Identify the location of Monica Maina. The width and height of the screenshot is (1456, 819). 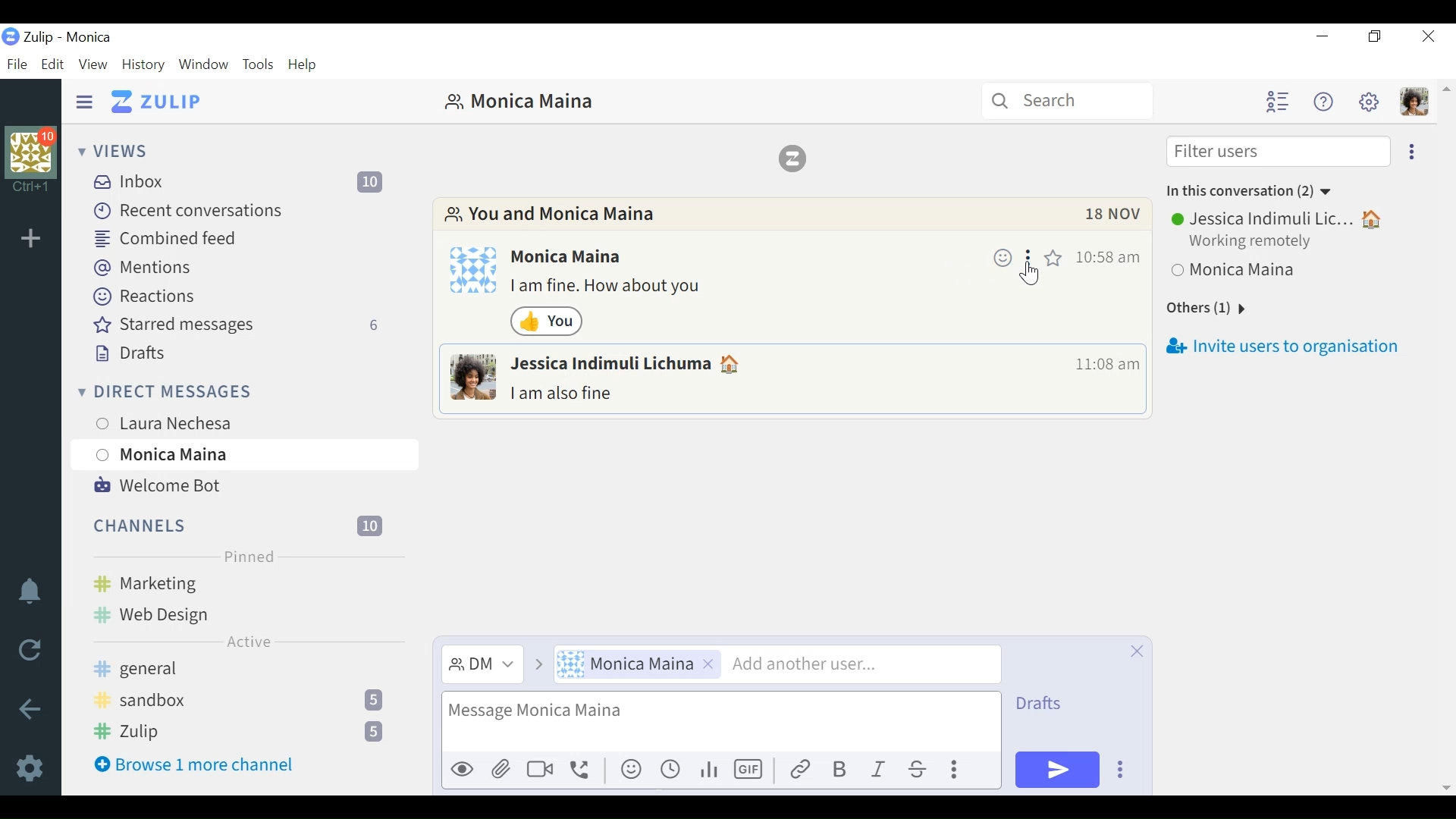
(518, 101).